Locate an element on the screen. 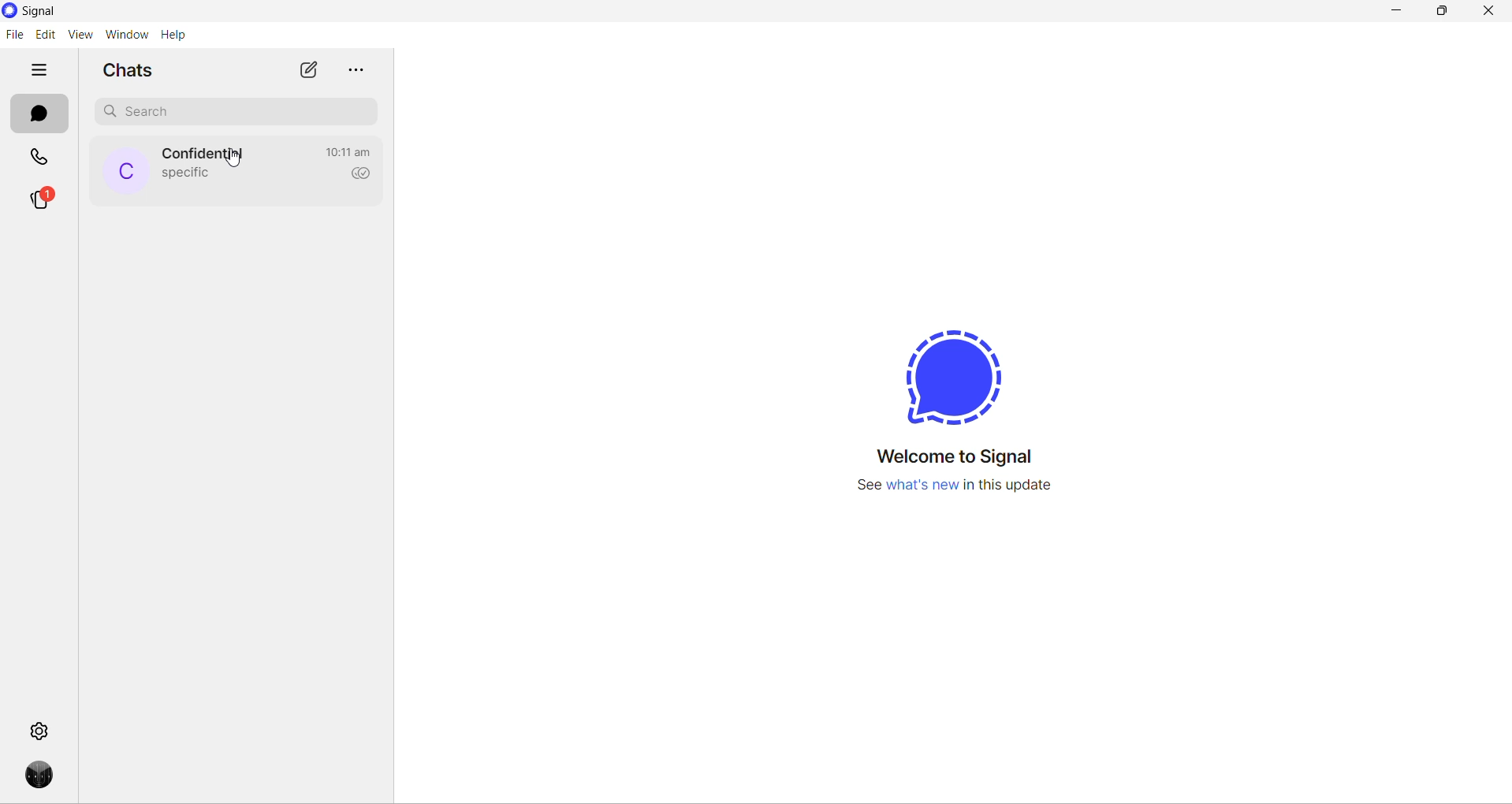 The width and height of the screenshot is (1512, 804). new chat is located at coordinates (307, 71).